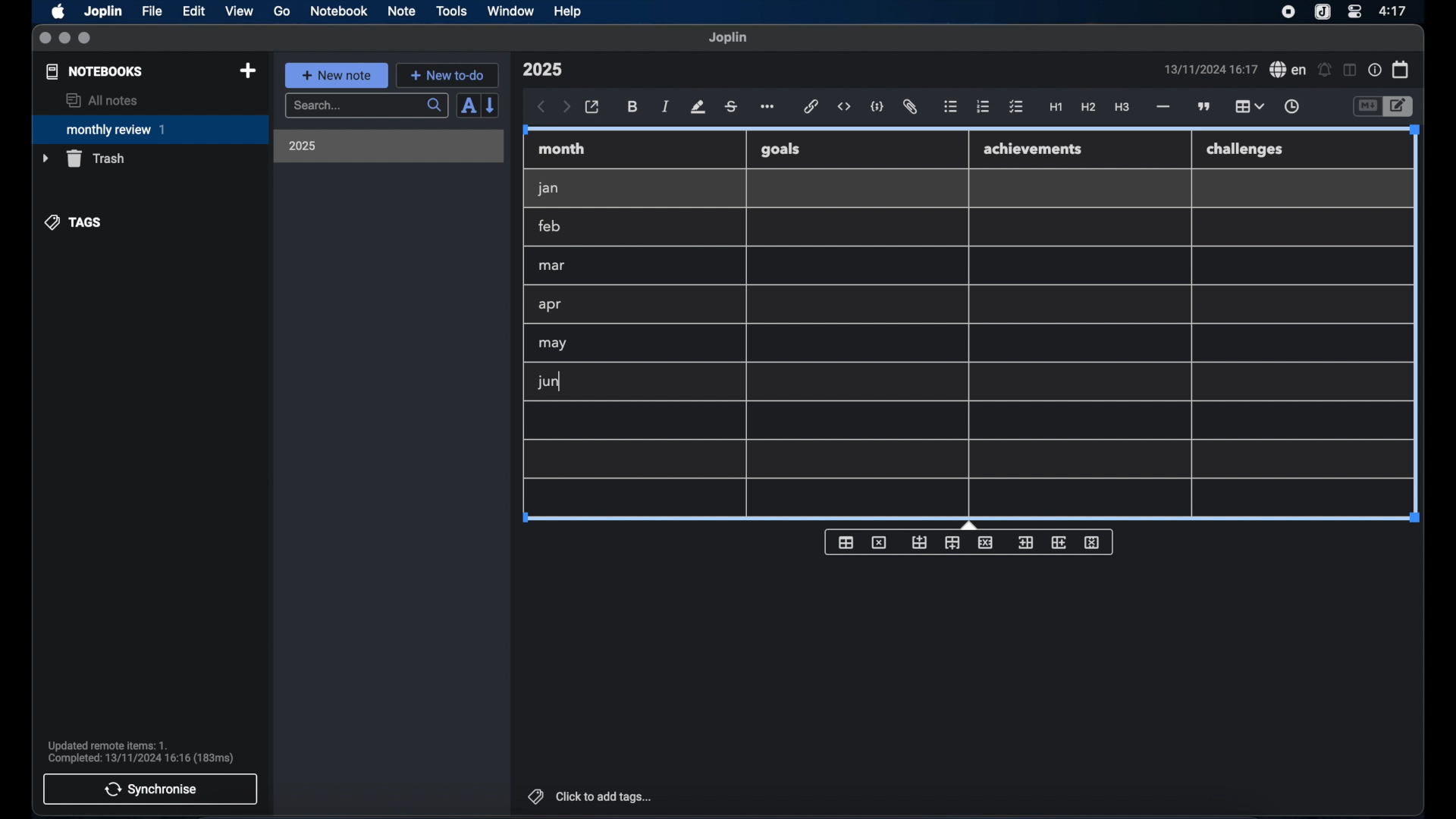  What do you see at coordinates (1288, 70) in the screenshot?
I see `spel check` at bounding box center [1288, 70].